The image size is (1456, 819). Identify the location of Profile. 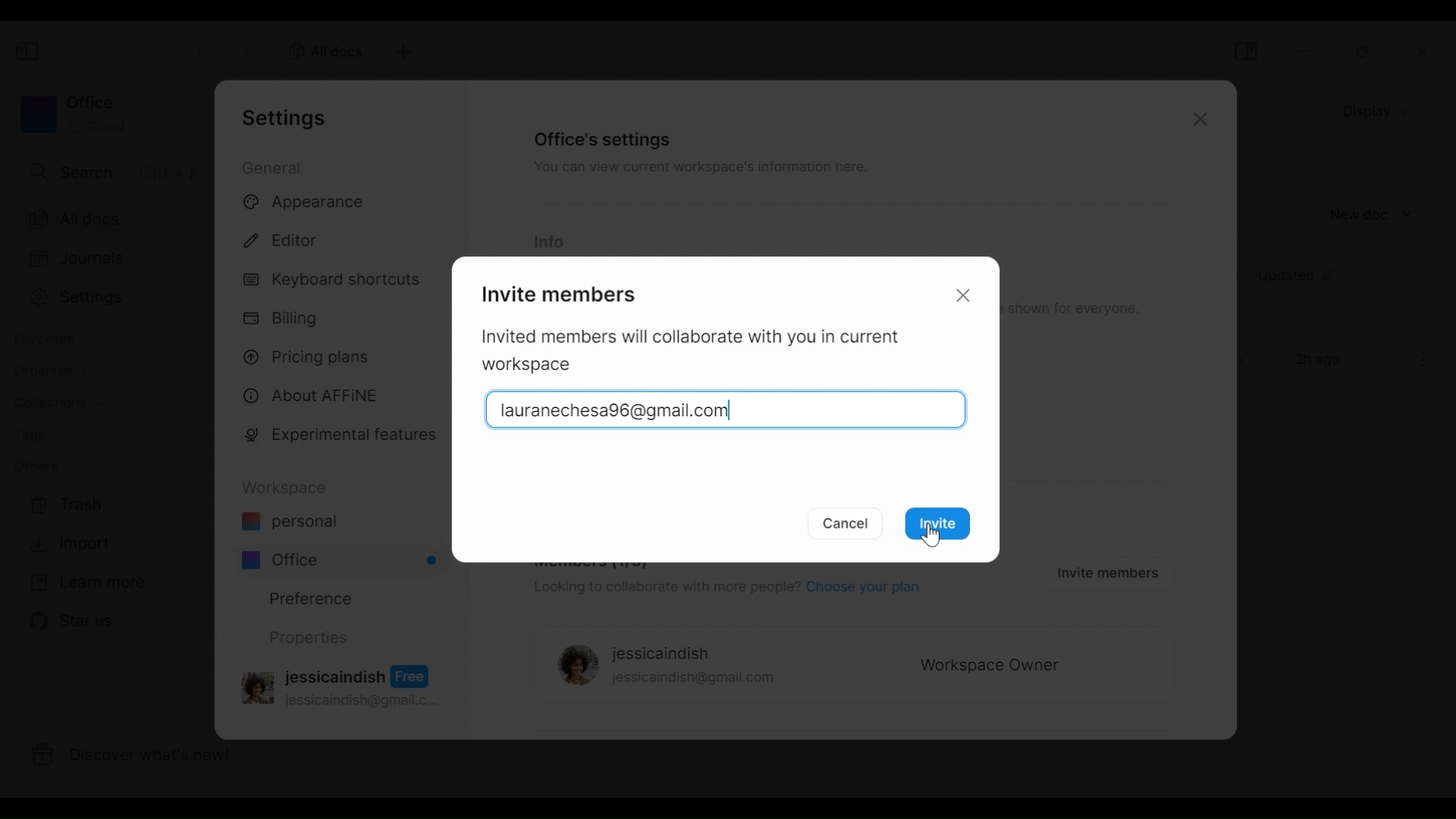
(573, 667).